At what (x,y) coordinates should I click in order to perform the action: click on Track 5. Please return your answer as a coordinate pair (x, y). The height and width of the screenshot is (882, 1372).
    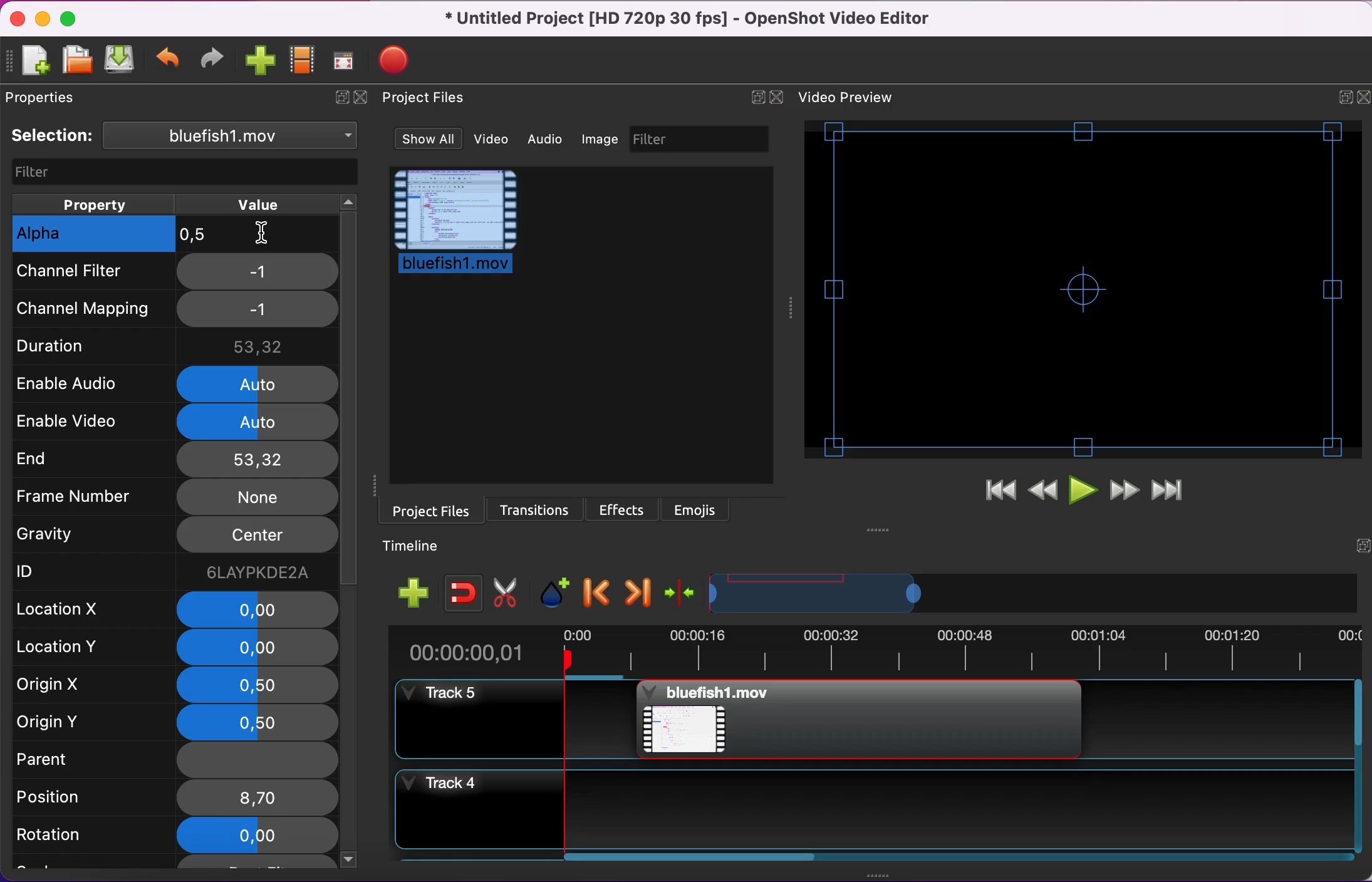
    Looking at the image, I should click on (1215, 720).